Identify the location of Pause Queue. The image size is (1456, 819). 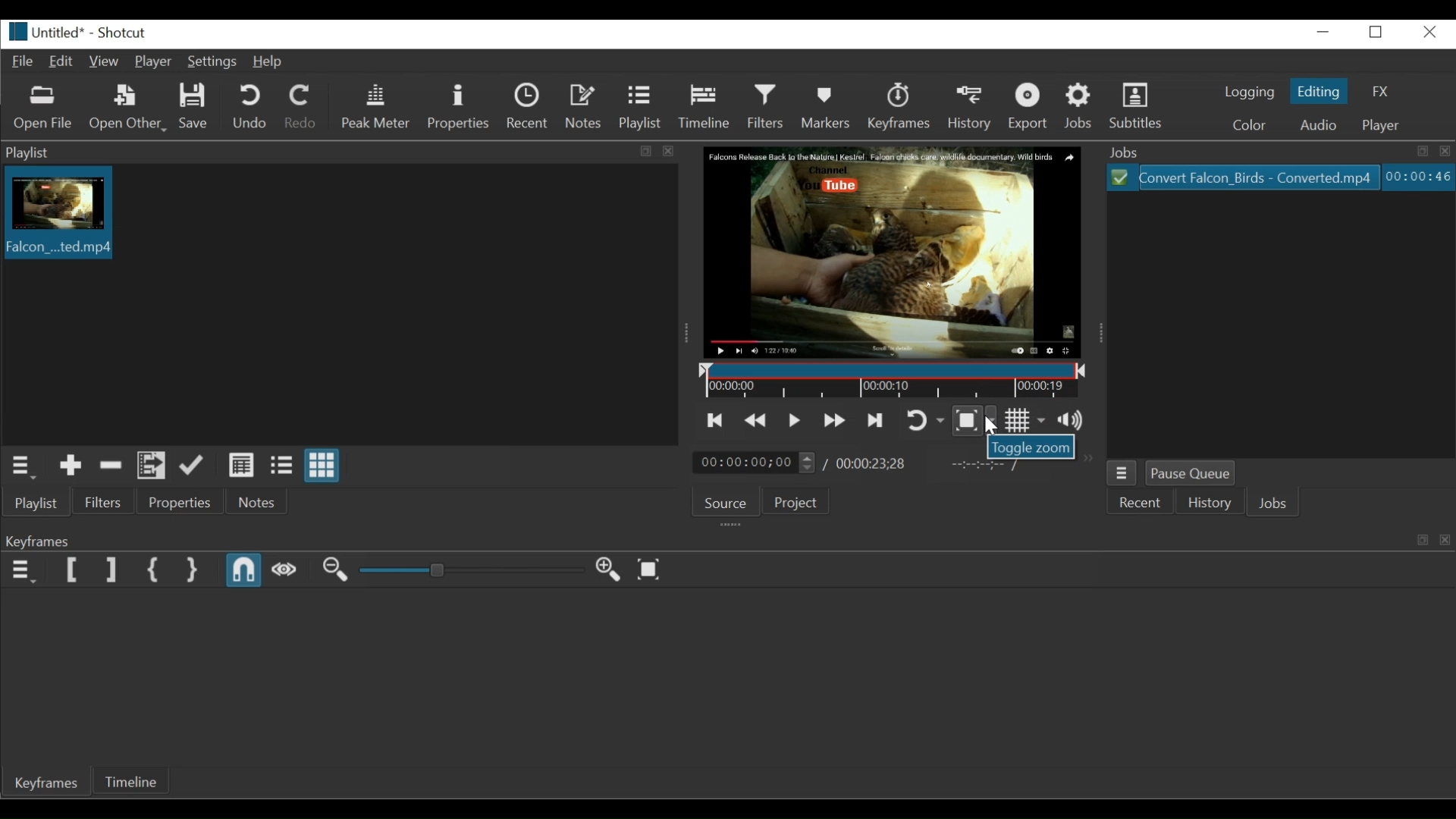
(1189, 475).